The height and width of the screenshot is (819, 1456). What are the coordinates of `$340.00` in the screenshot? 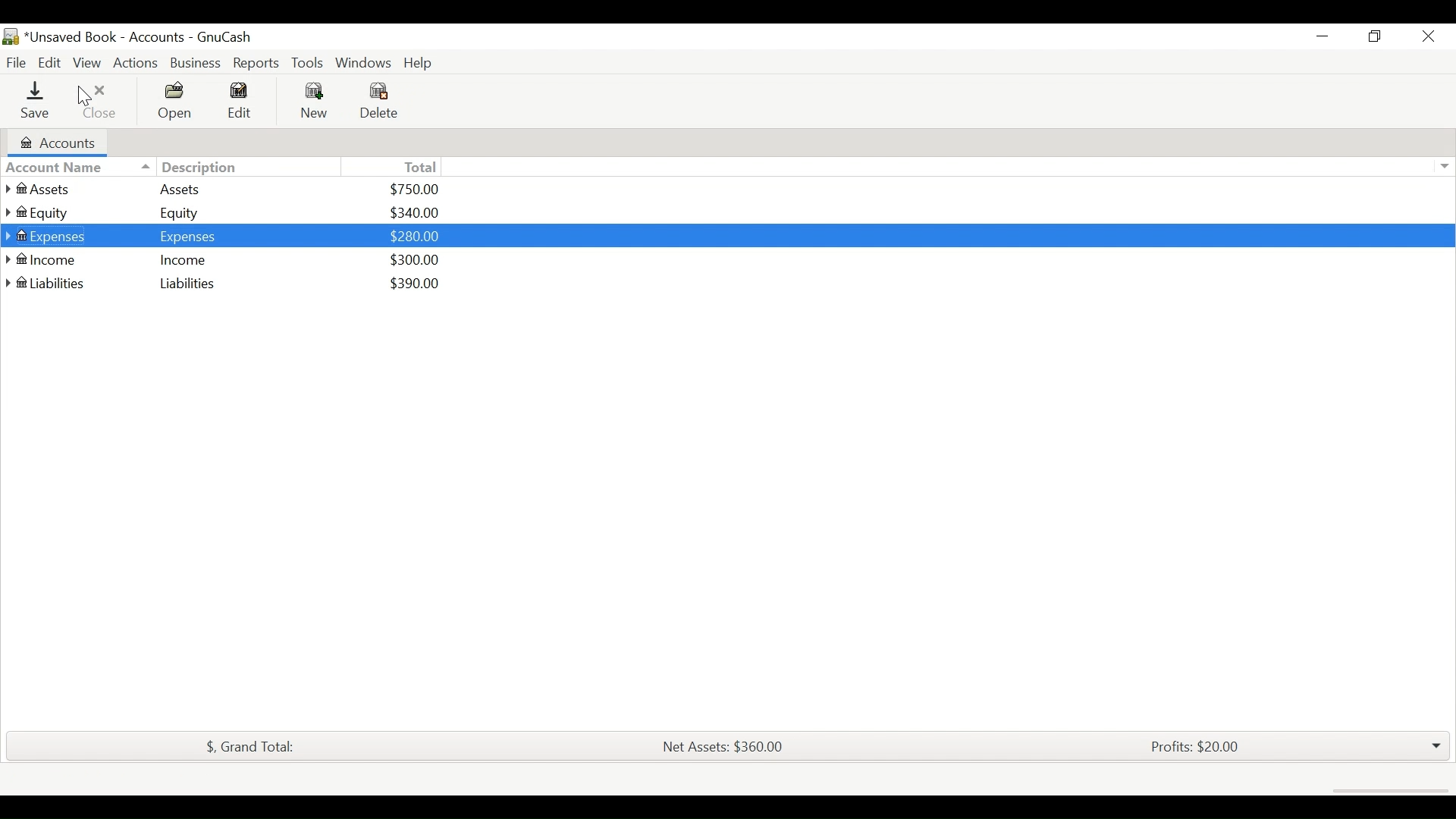 It's located at (414, 211).